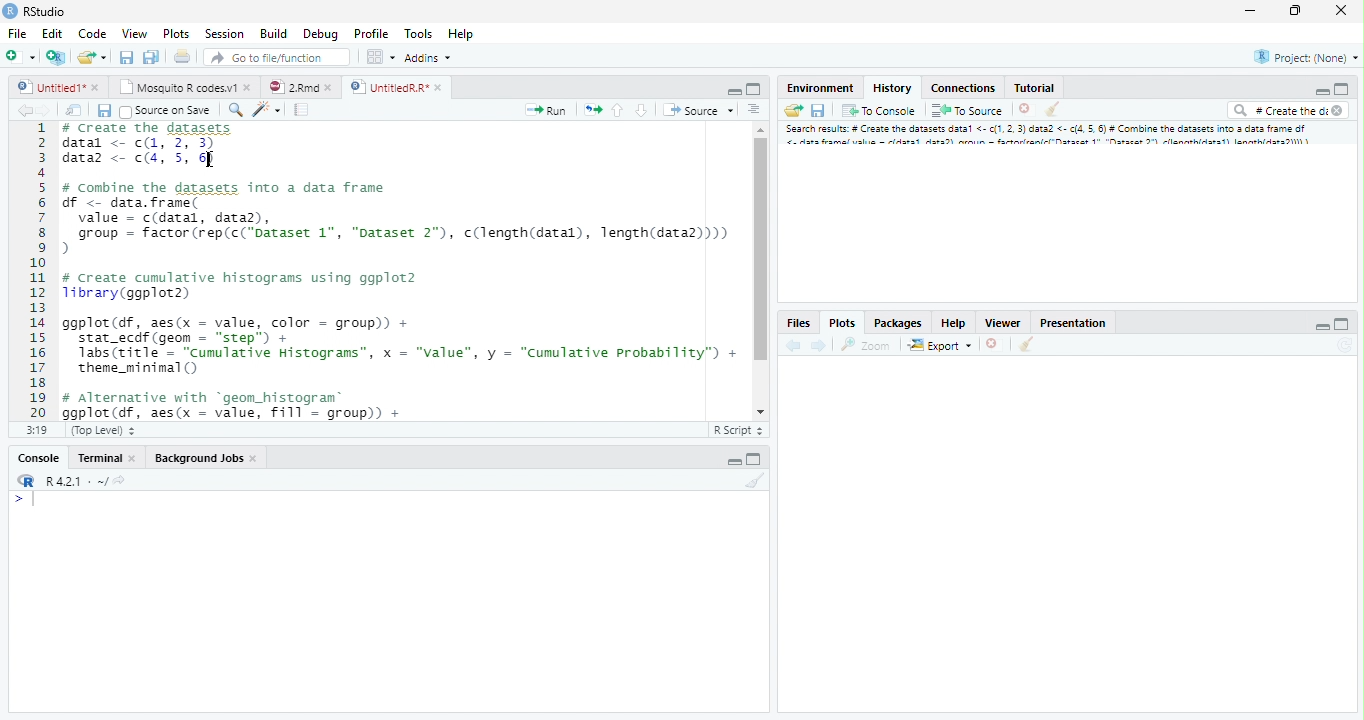  What do you see at coordinates (34, 10) in the screenshot?
I see `Rstudio` at bounding box center [34, 10].